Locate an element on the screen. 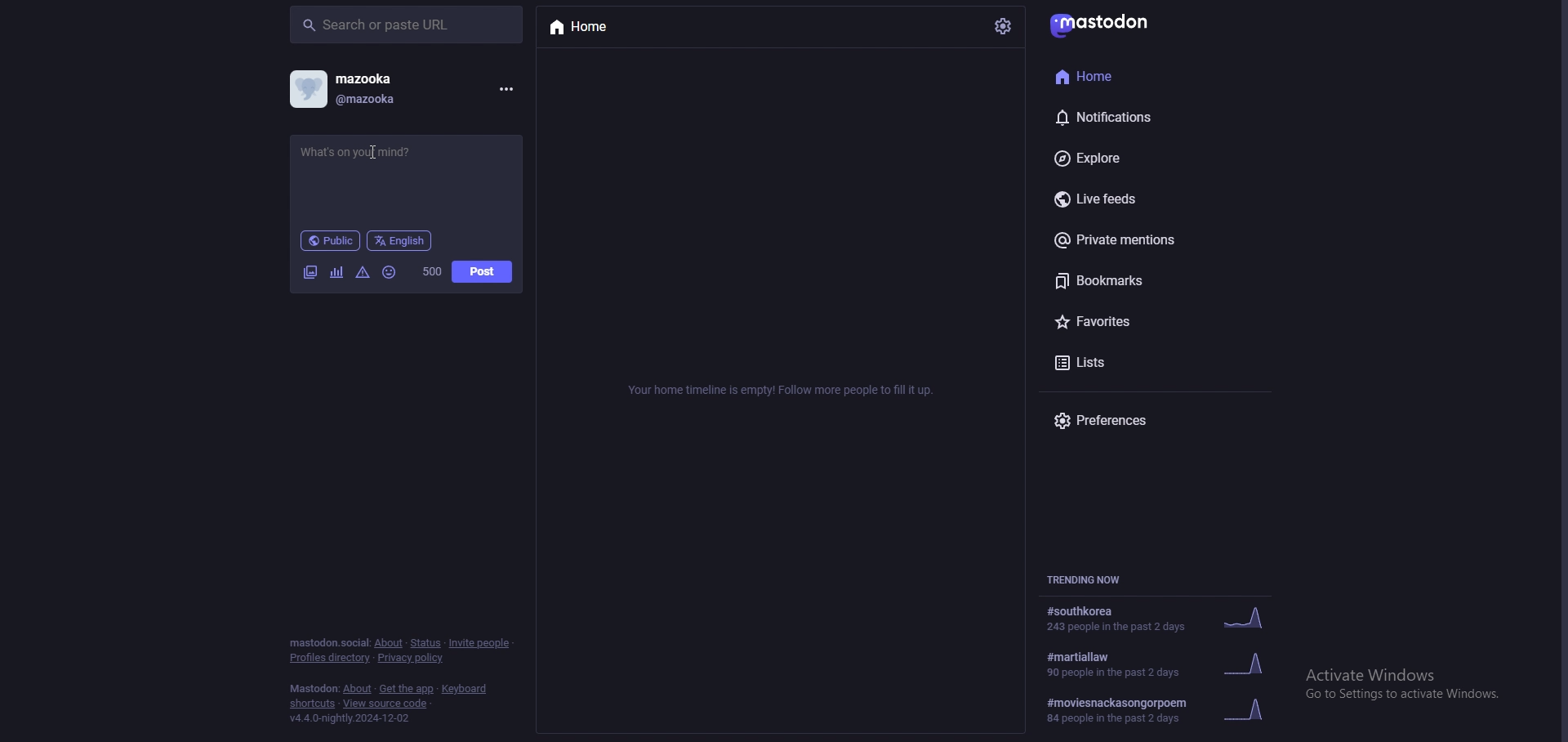  Status is located at coordinates (425, 642).